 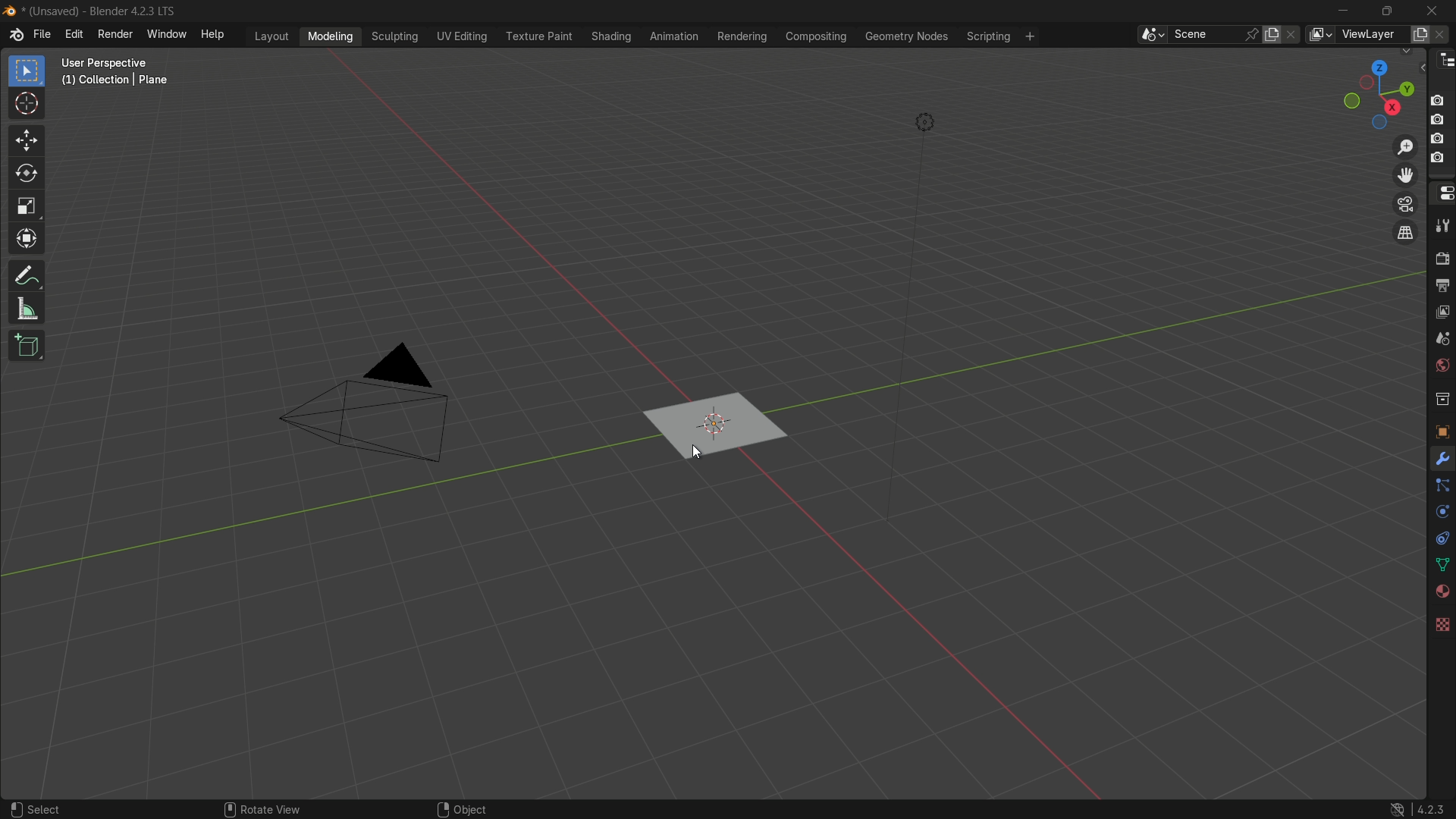 I want to click on add view layer, so click(x=1418, y=34).